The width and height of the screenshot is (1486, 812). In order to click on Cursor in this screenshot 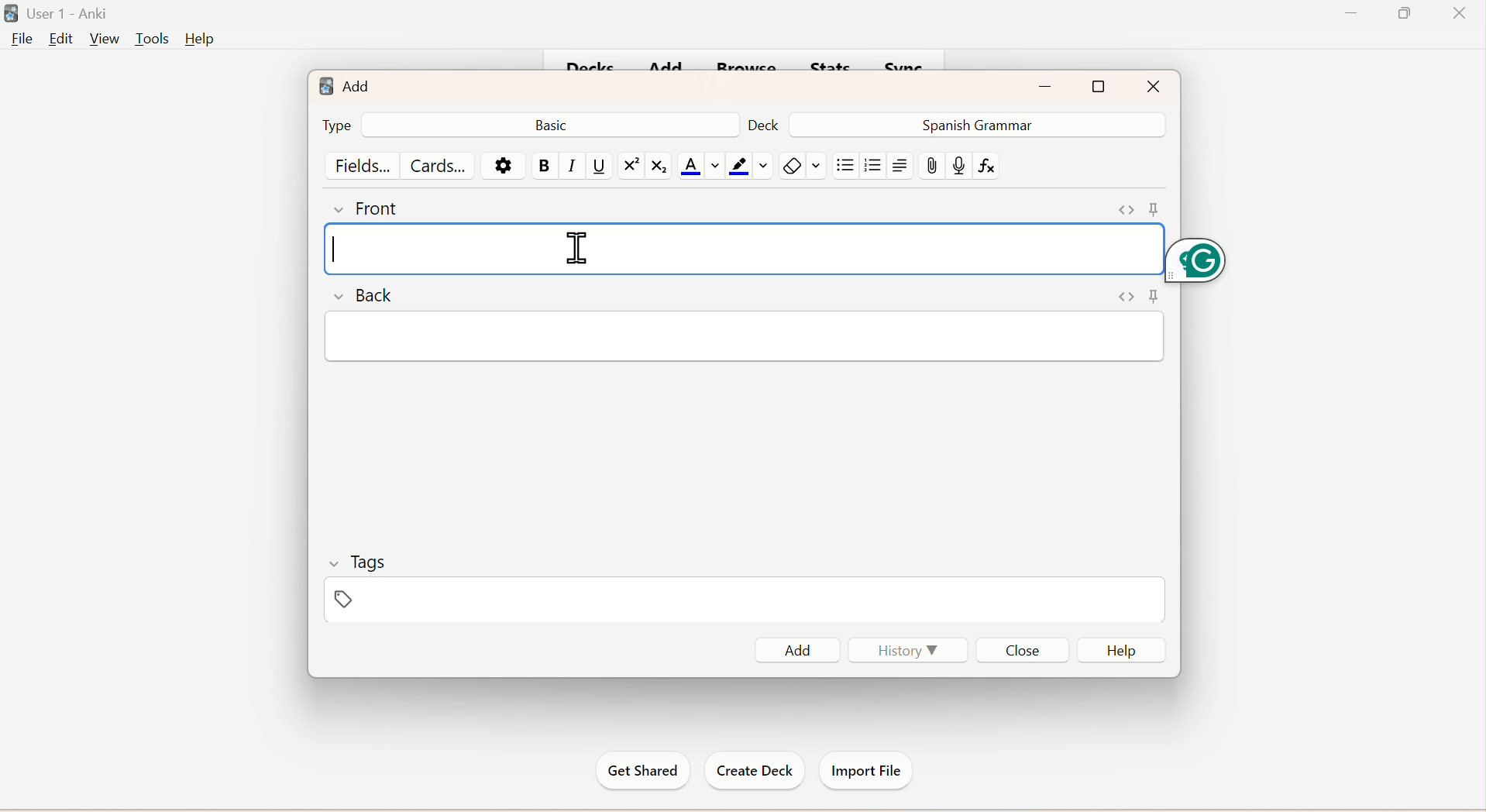, I will do `click(578, 246)`.